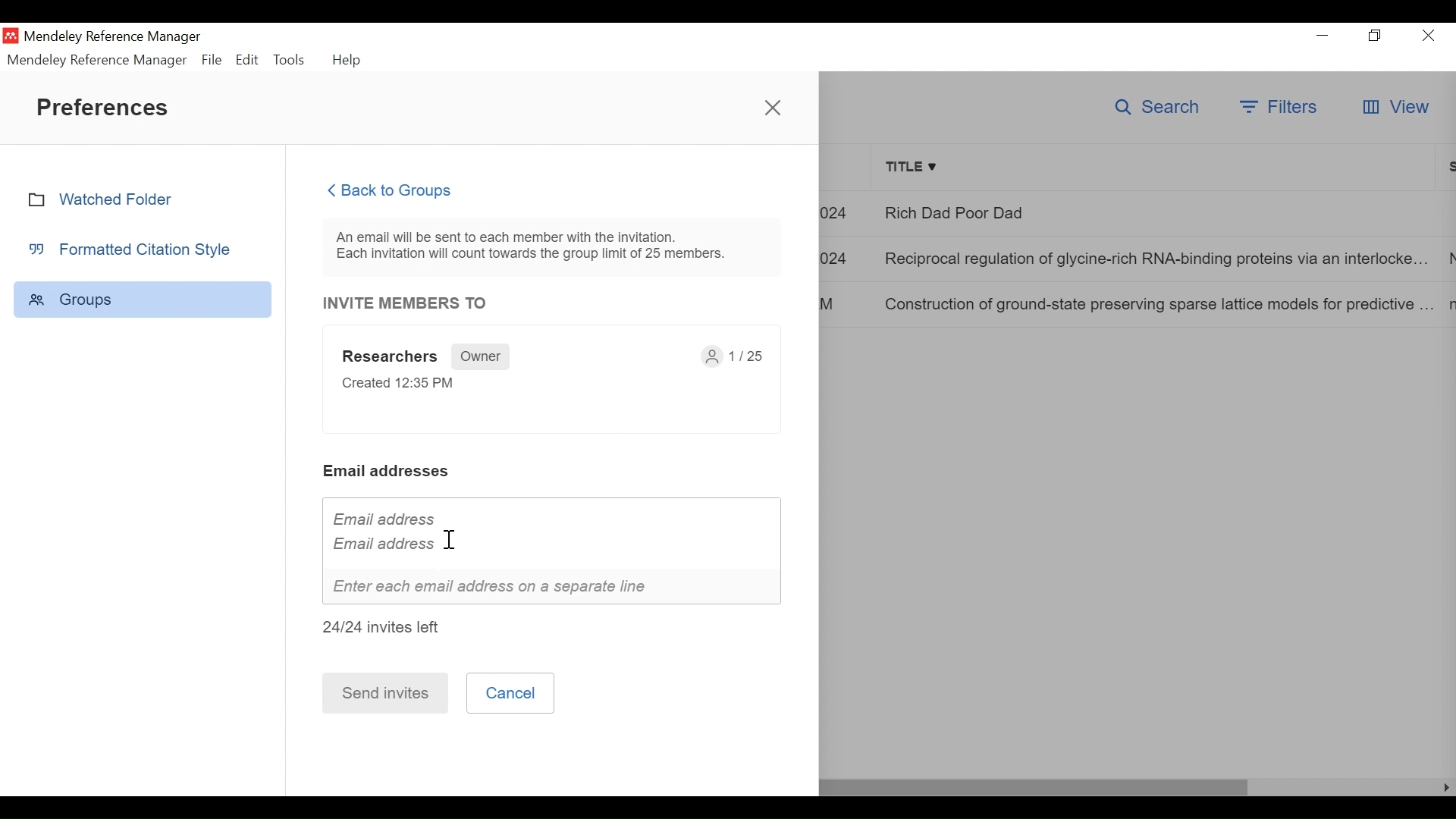 Image resolution: width=1456 pixels, height=819 pixels. I want to click on Restore, so click(1375, 35).